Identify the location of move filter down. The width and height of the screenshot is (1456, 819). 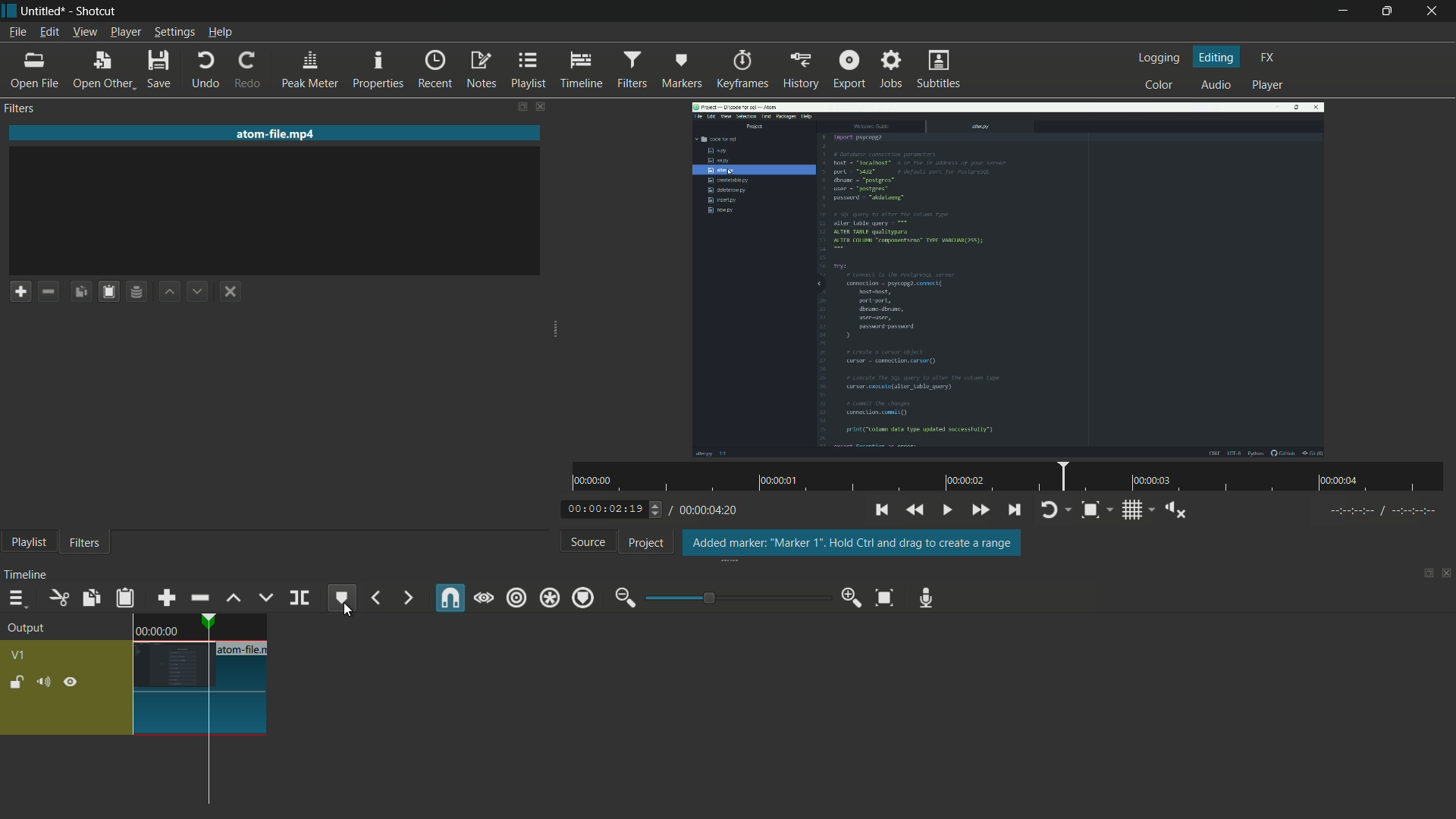
(197, 290).